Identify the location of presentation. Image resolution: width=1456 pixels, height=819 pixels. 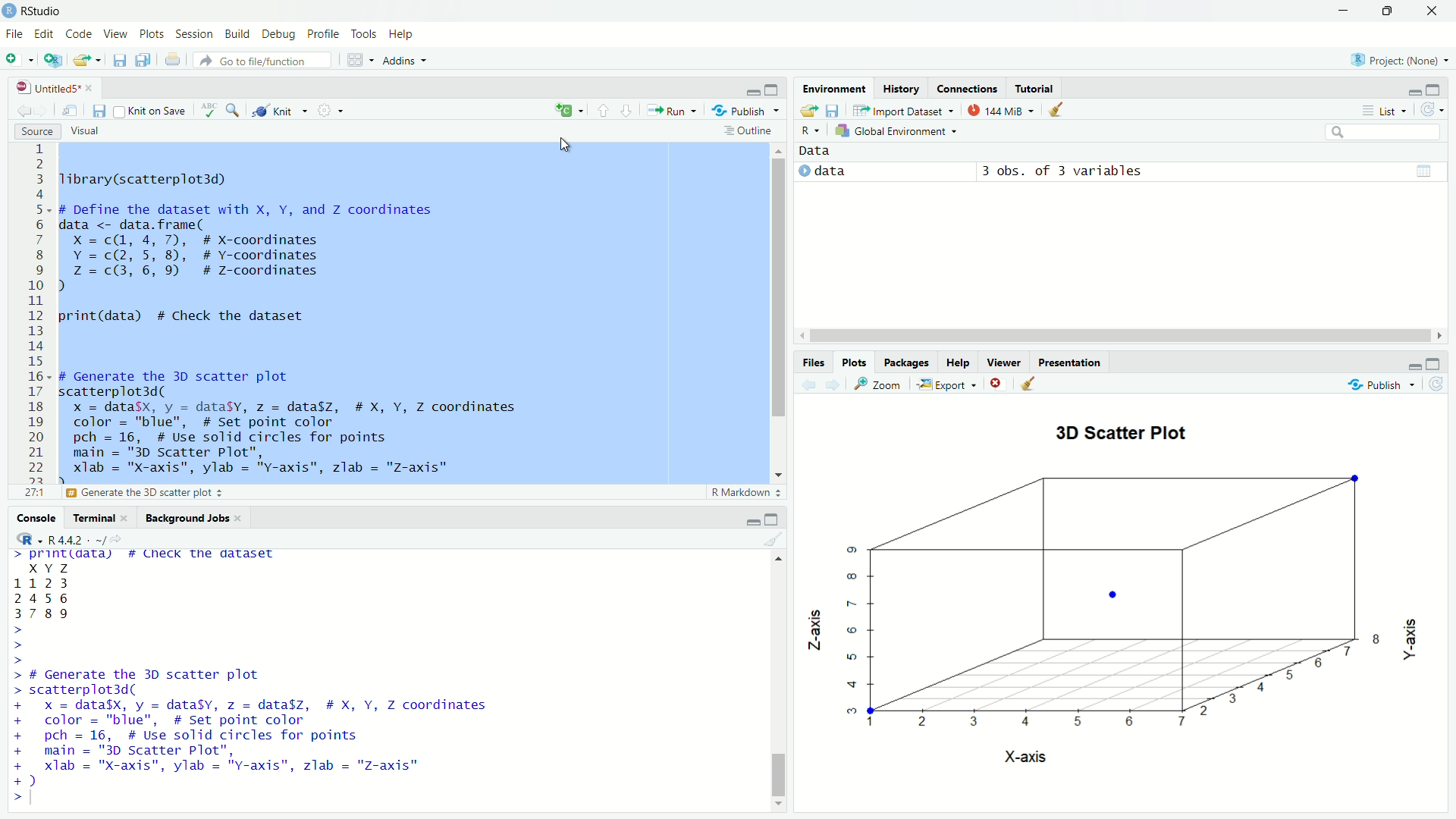
(1072, 362).